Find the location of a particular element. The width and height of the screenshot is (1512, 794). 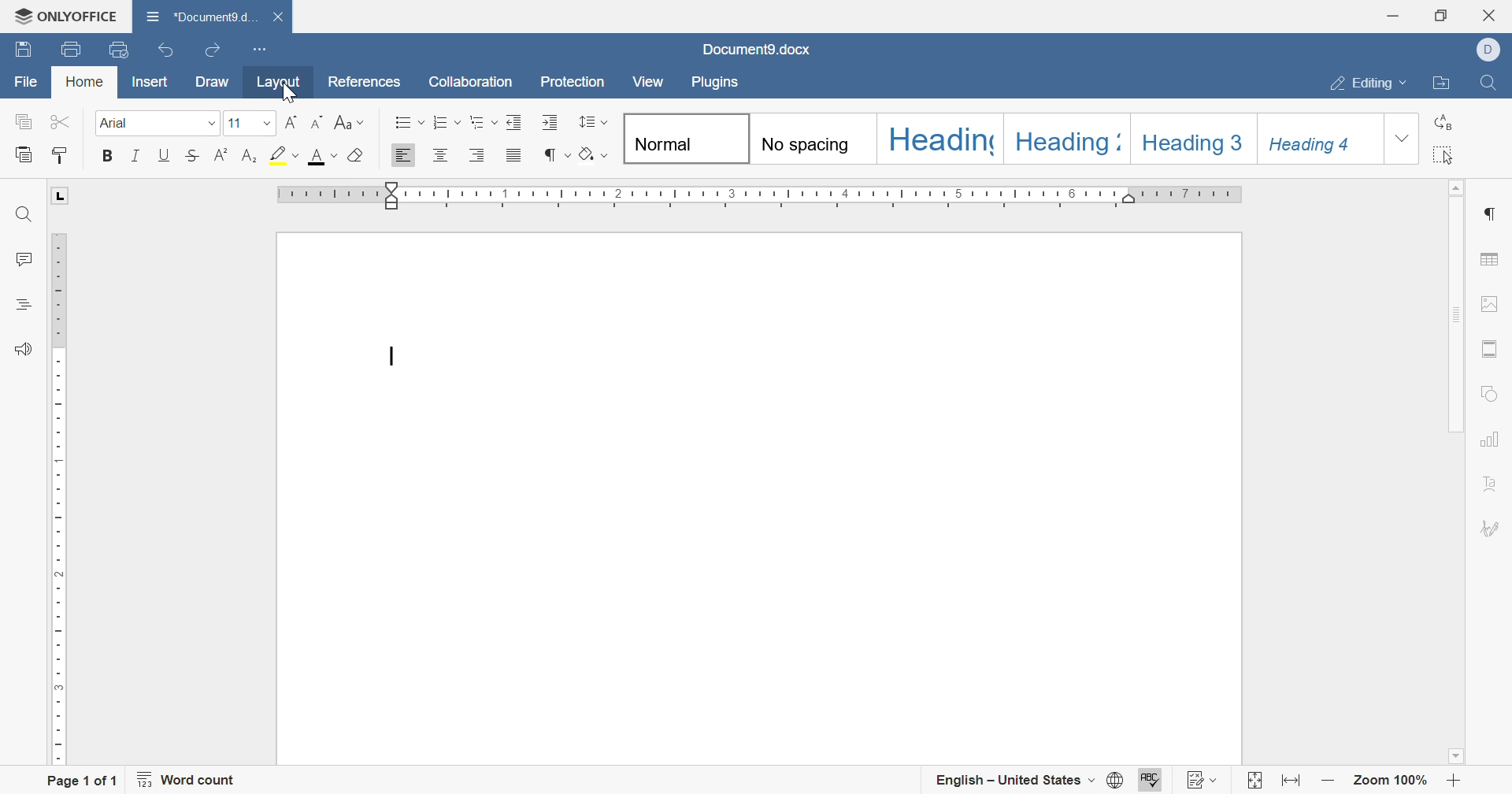

collaboration is located at coordinates (473, 86).